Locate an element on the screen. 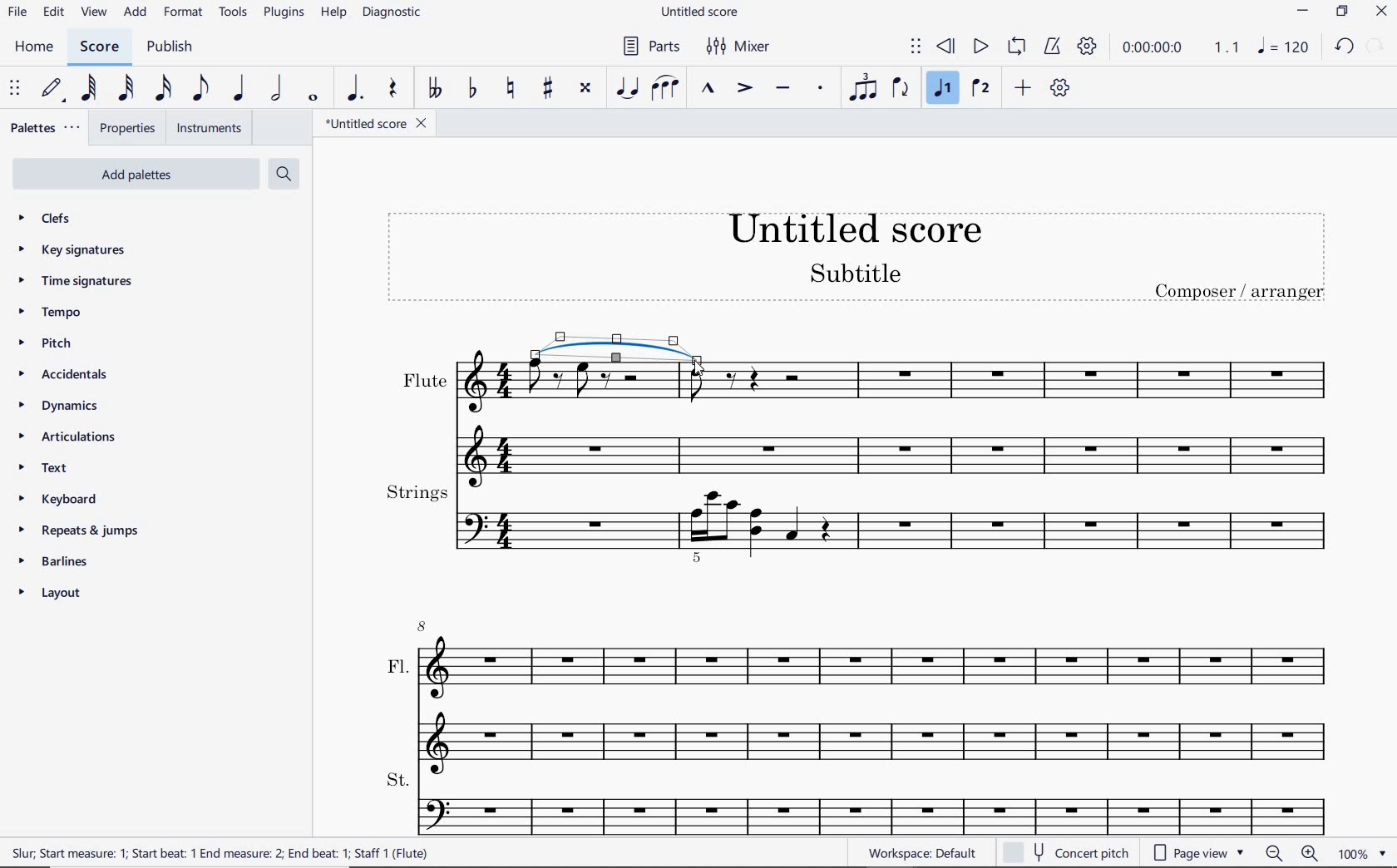 Image resolution: width=1397 pixels, height=868 pixels. tools is located at coordinates (234, 12).